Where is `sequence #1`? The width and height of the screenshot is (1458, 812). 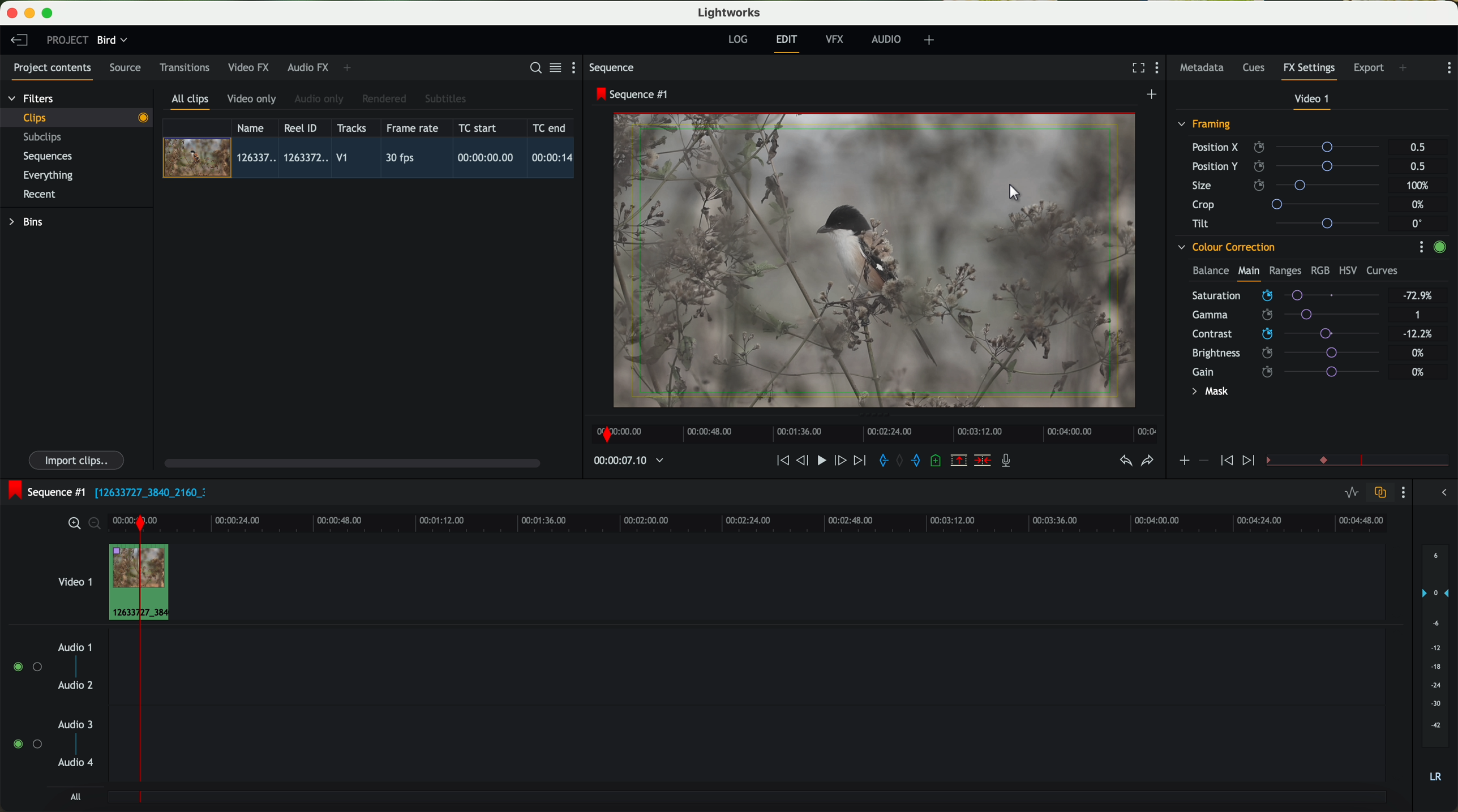
sequence #1 is located at coordinates (633, 94).